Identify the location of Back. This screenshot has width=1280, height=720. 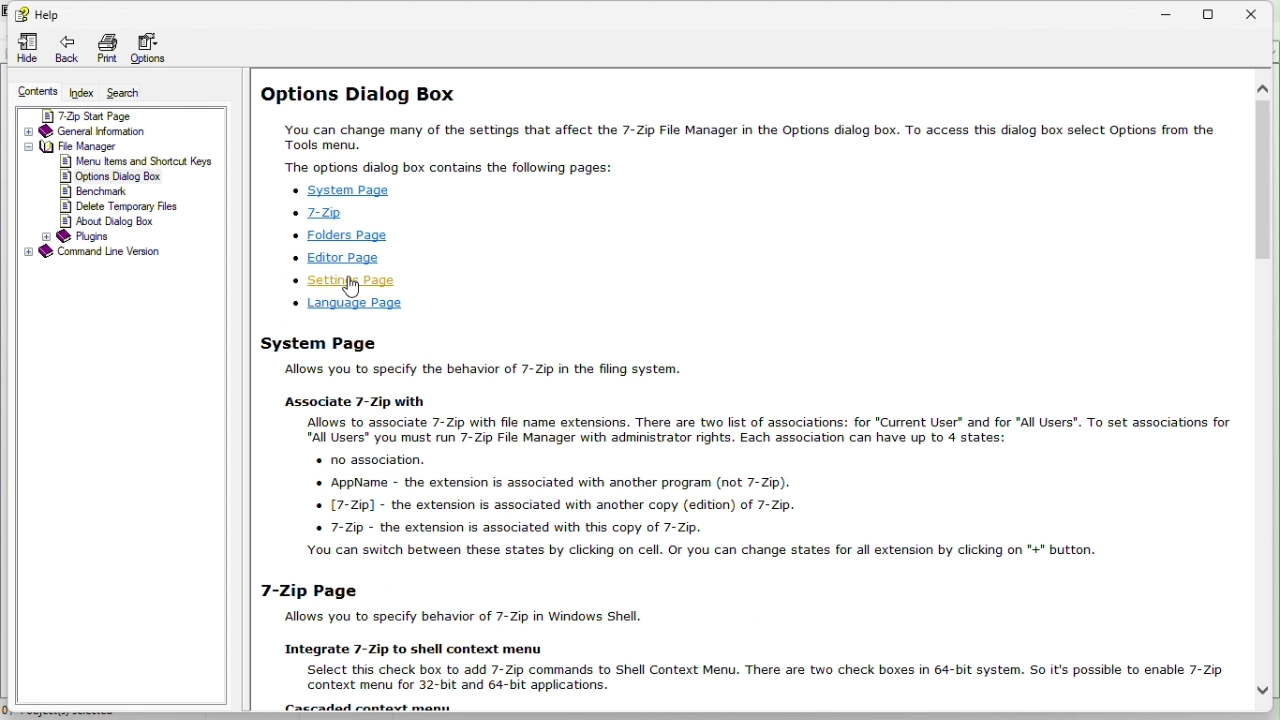
(68, 50).